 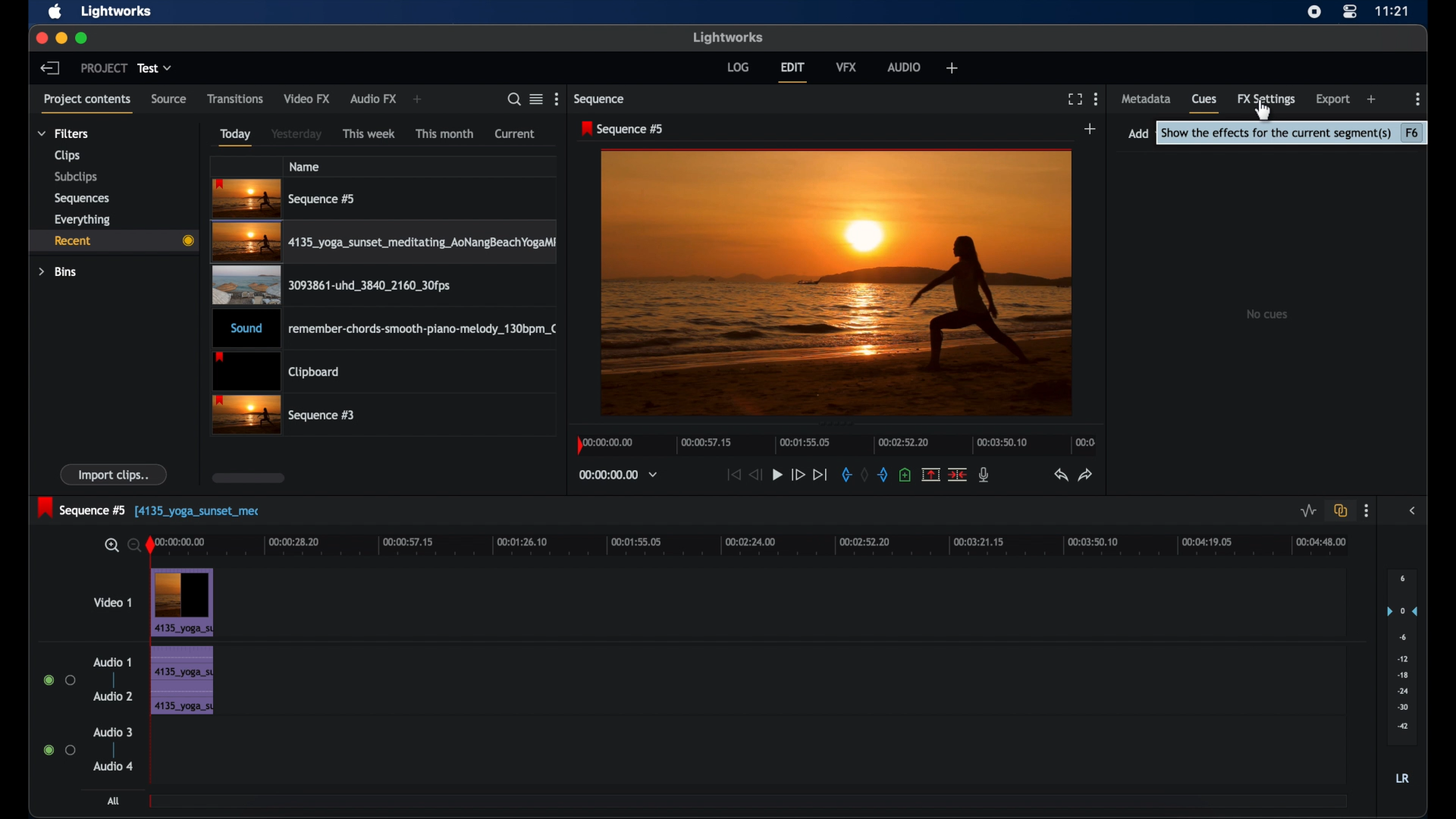 What do you see at coordinates (112, 241) in the screenshot?
I see `recent` at bounding box center [112, 241].